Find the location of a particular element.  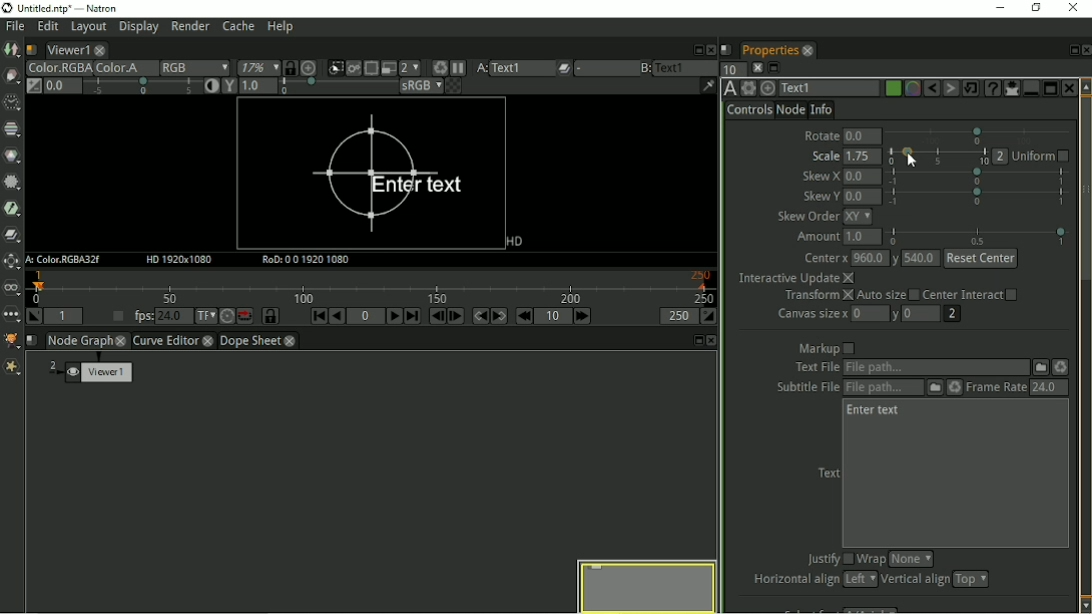

Vertical scrollbar is located at coordinates (1085, 194).